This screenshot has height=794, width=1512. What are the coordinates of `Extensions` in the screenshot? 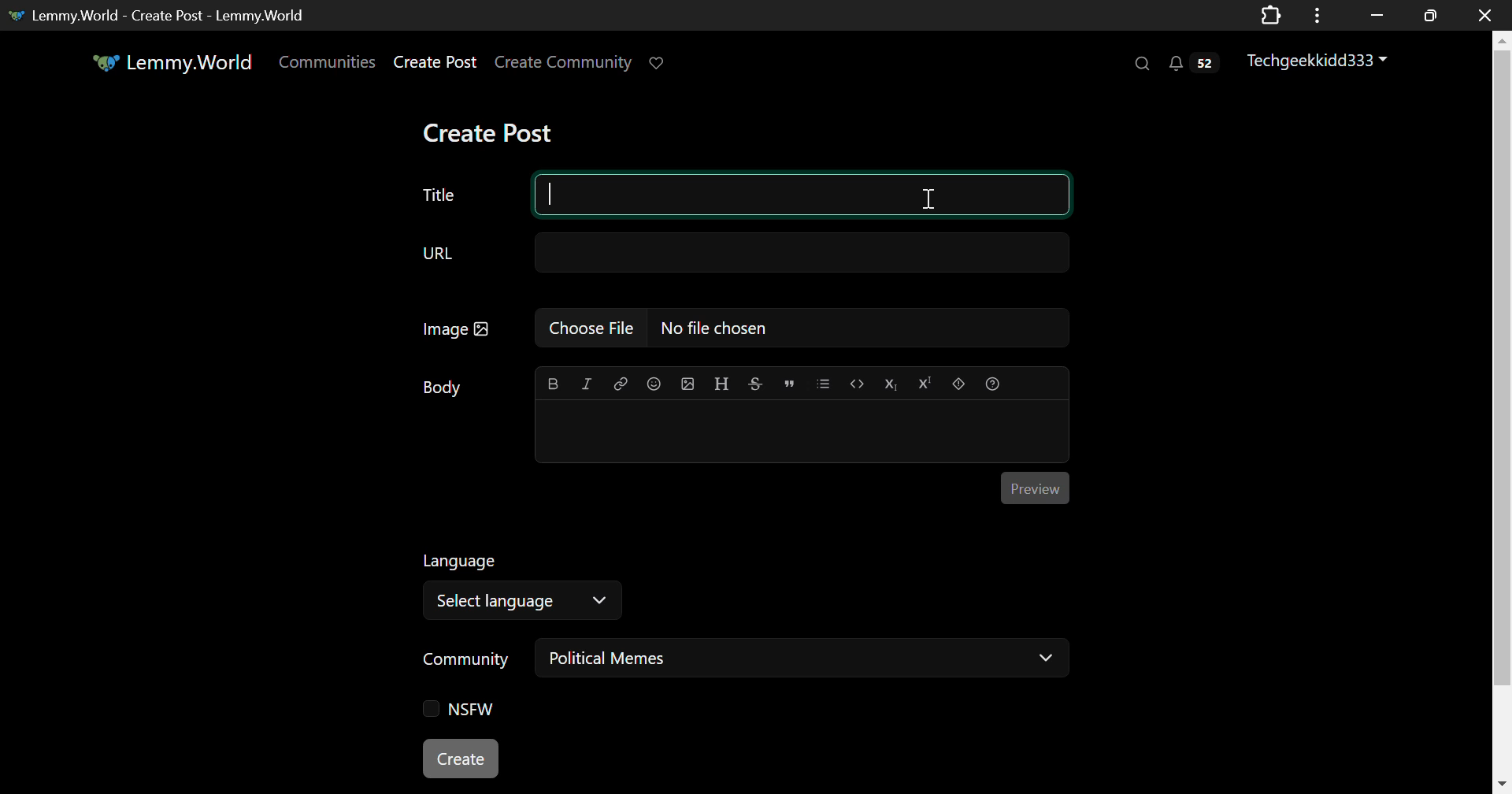 It's located at (1272, 14).